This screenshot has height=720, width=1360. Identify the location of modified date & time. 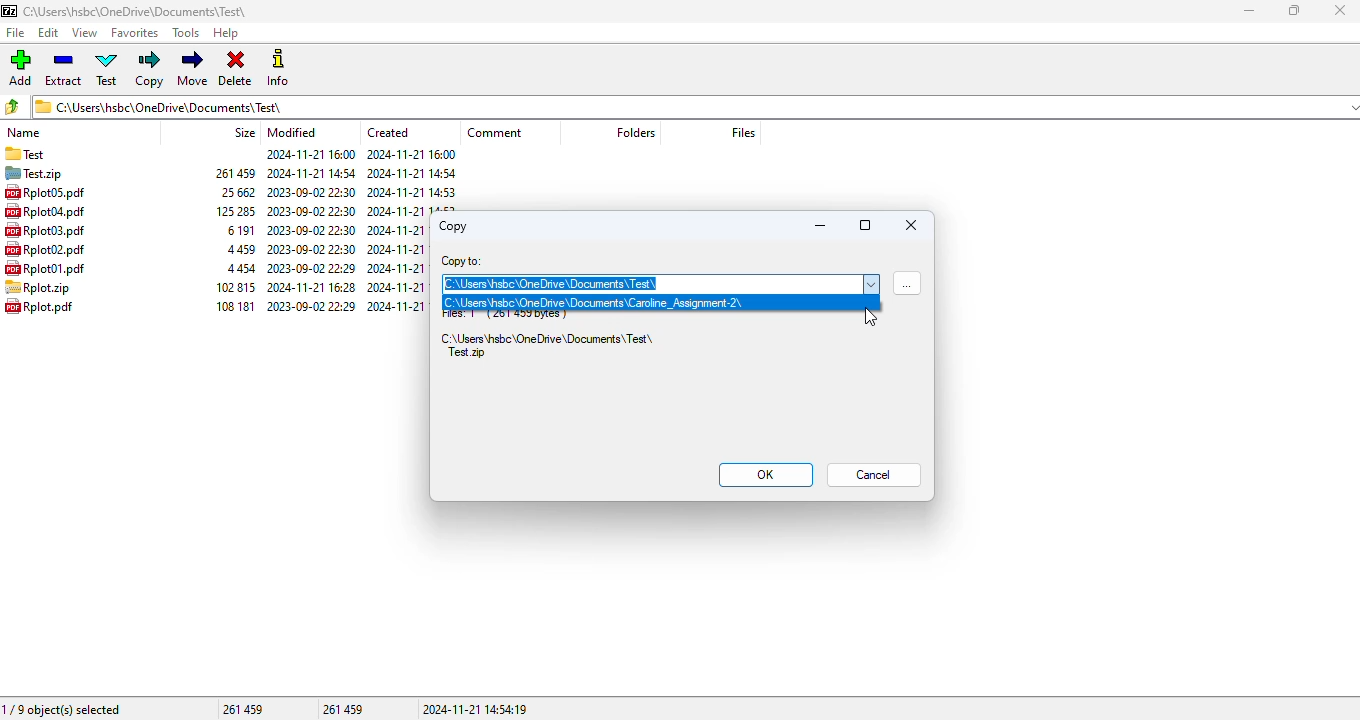
(310, 173).